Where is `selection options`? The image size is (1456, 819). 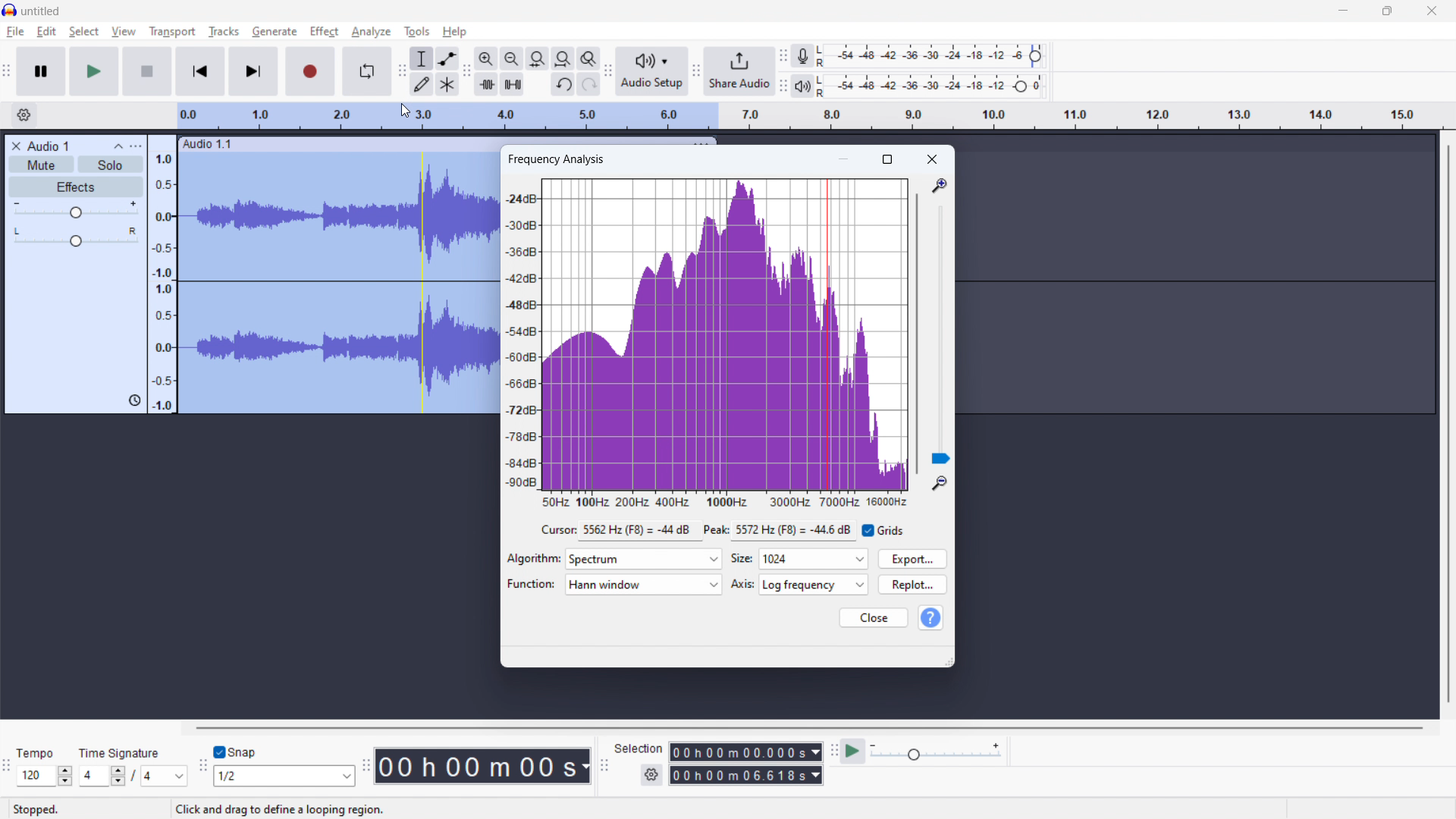 selection options is located at coordinates (652, 775).